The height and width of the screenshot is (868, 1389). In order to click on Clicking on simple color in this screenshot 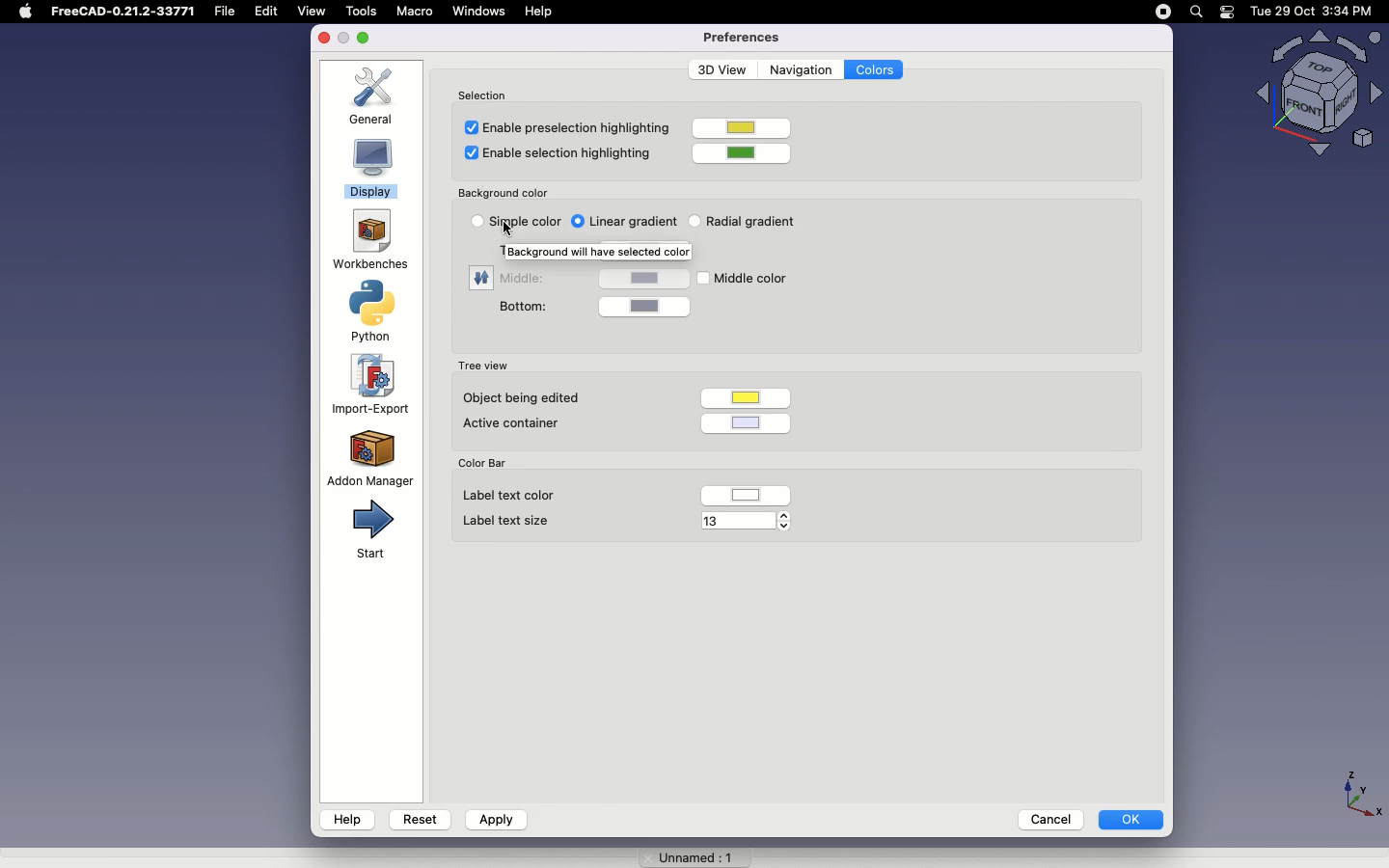, I will do `click(524, 223)`.